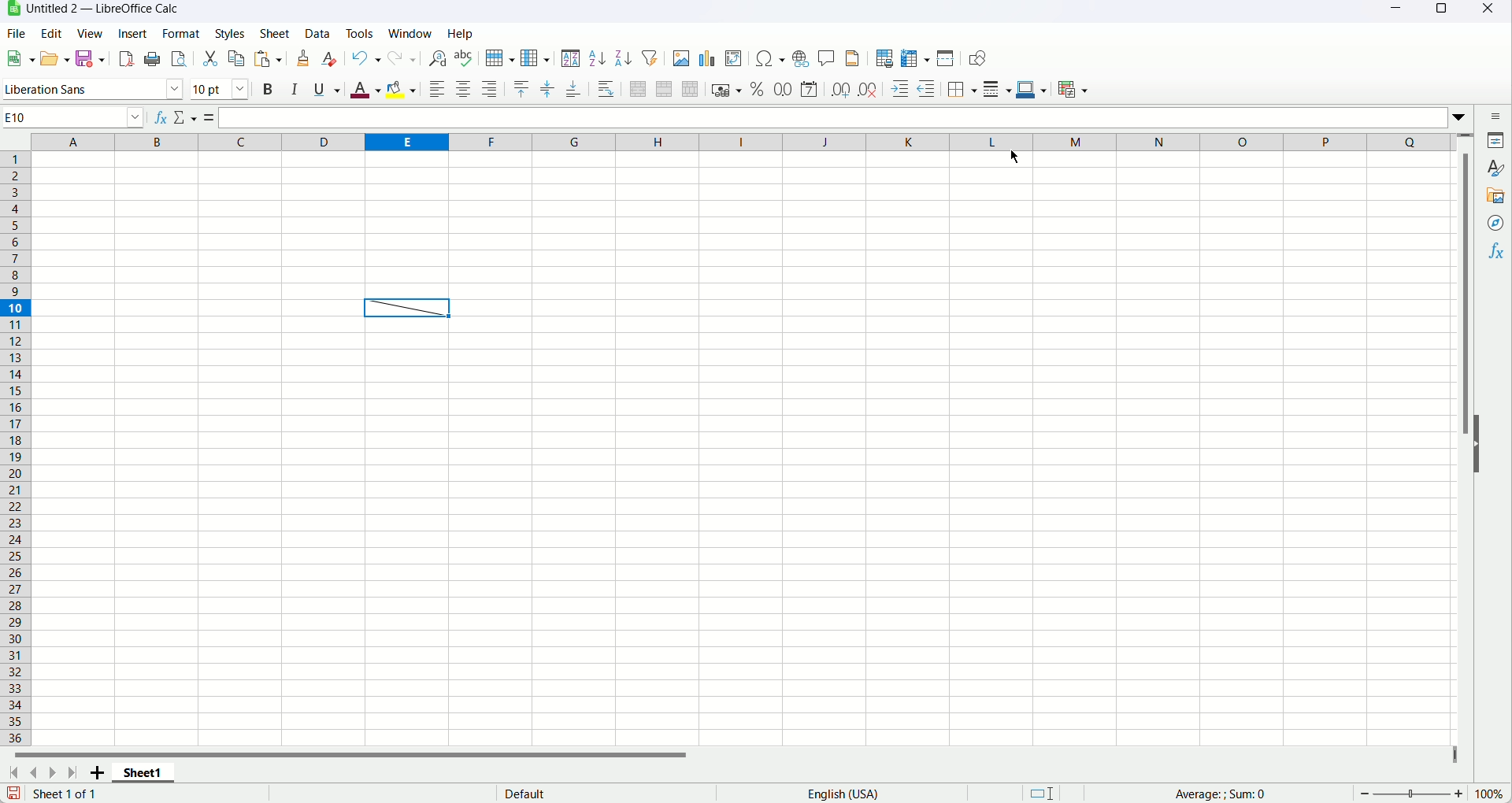 This screenshot has width=1512, height=803. What do you see at coordinates (234, 32) in the screenshot?
I see `Styles` at bounding box center [234, 32].